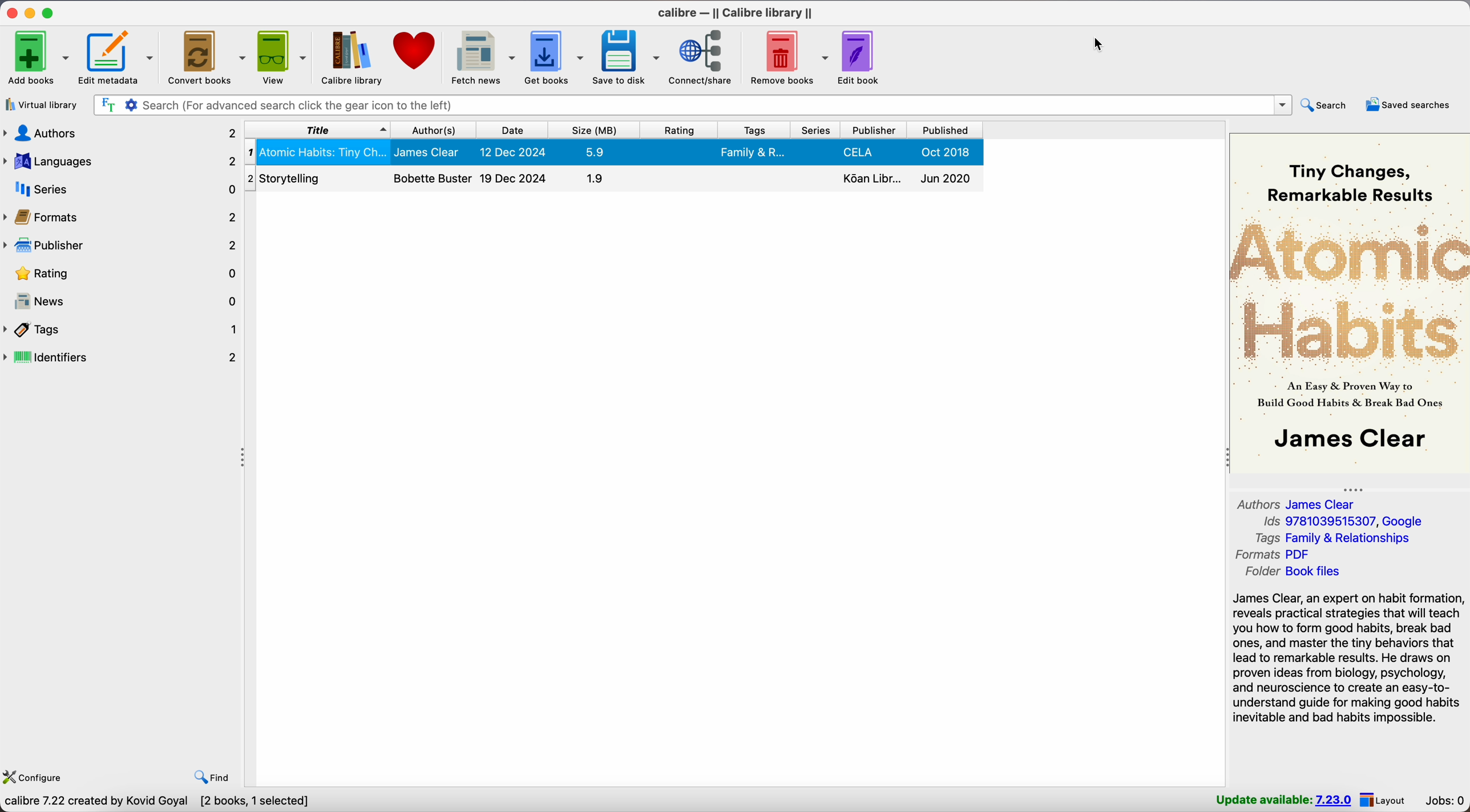  What do you see at coordinates (122, 188) in the screenshot?
I see `series` at bounding box center [122, 188].